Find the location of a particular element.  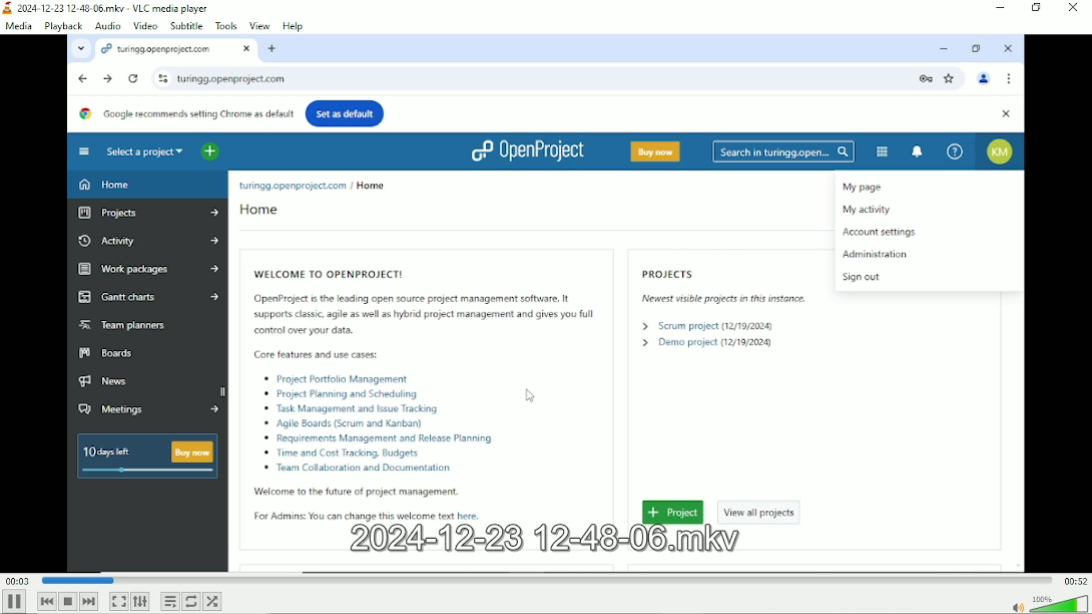

Title is located at coordinates (107, 8).